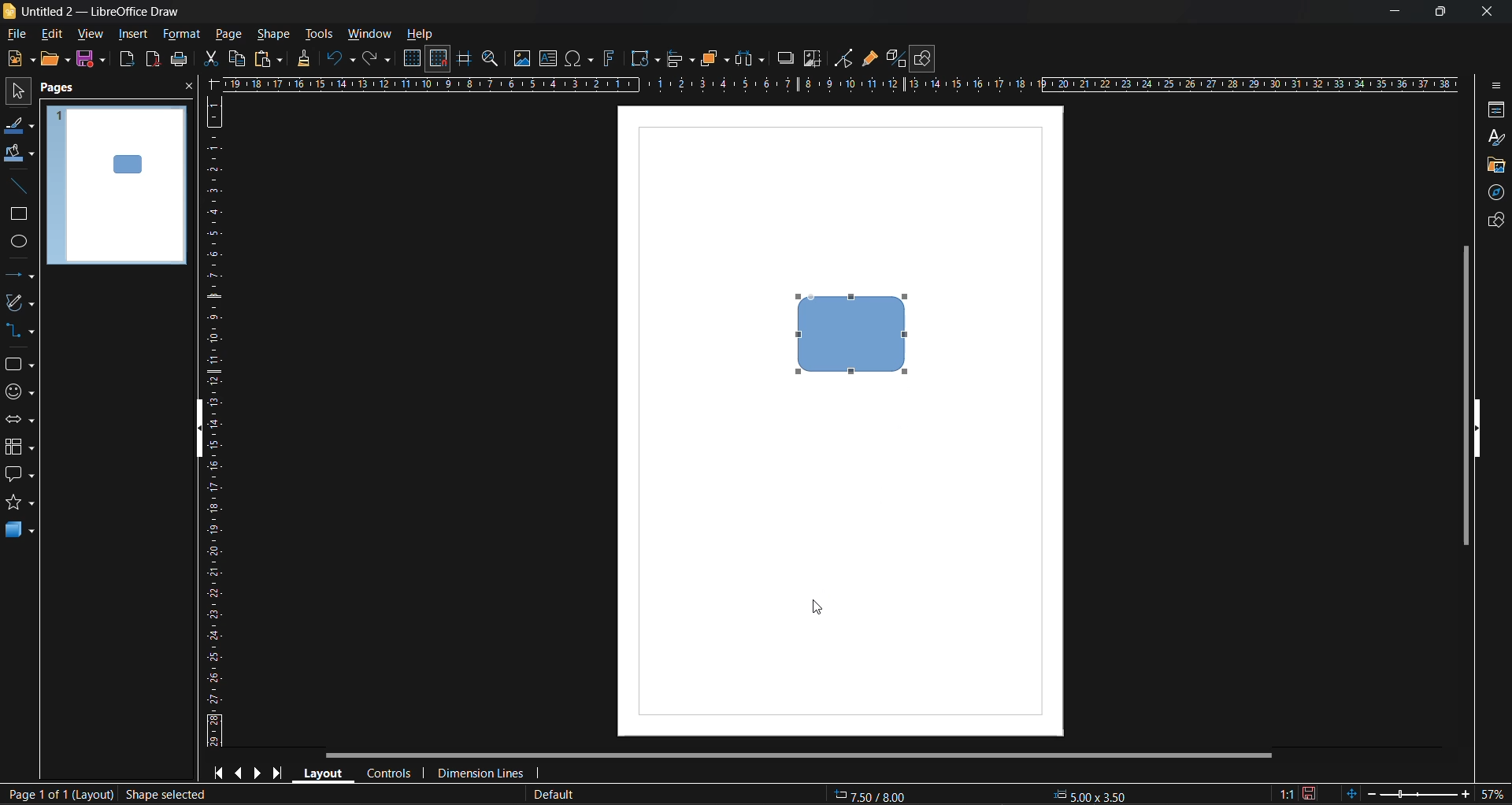 Image resolution: width=1512 pixels, height=805 pixels. What do you see at coordinates (612, 57) in the screenshot?
I see `fontwork` at bounding box center [612, 57].